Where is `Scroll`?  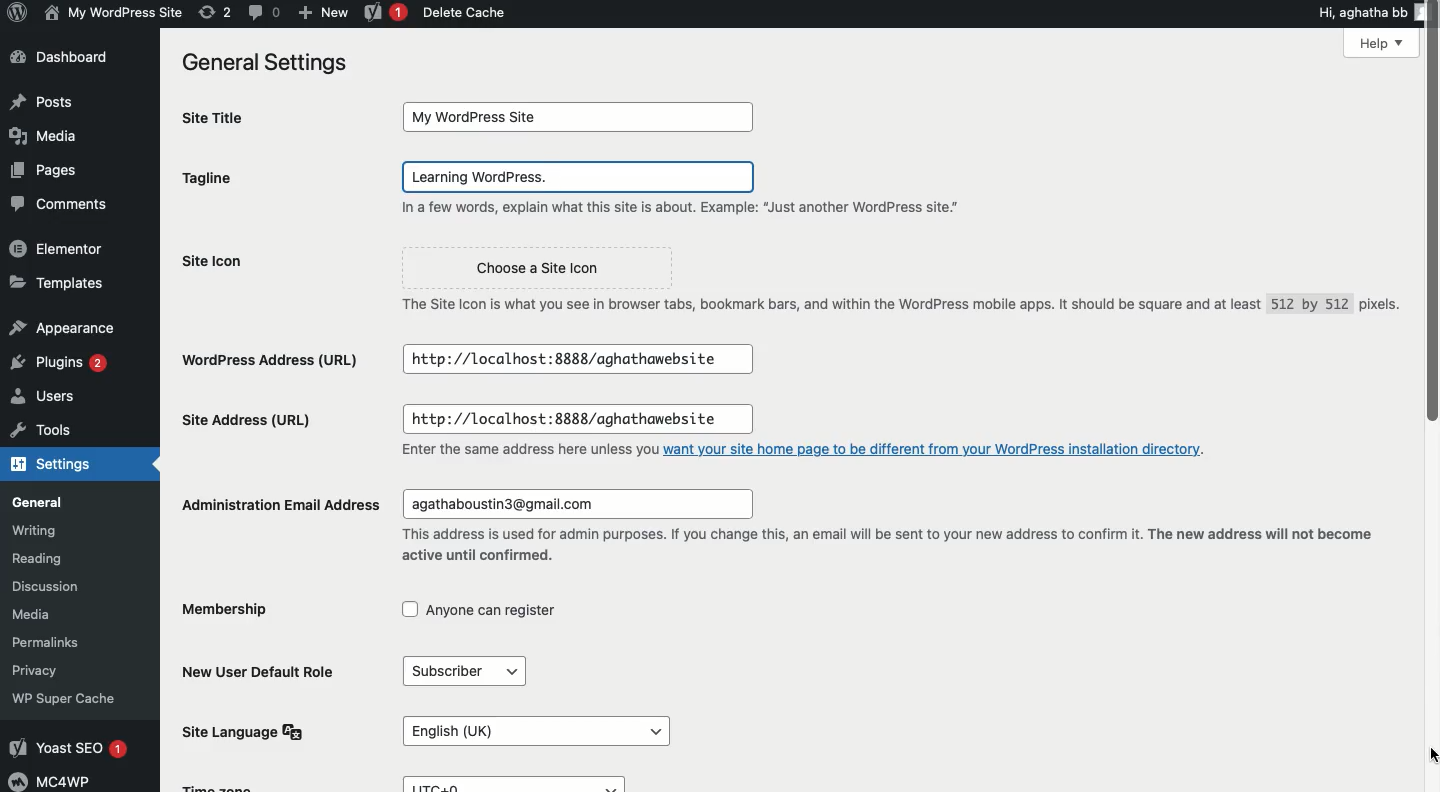 Scroll is located at coordinates (1431, 216).